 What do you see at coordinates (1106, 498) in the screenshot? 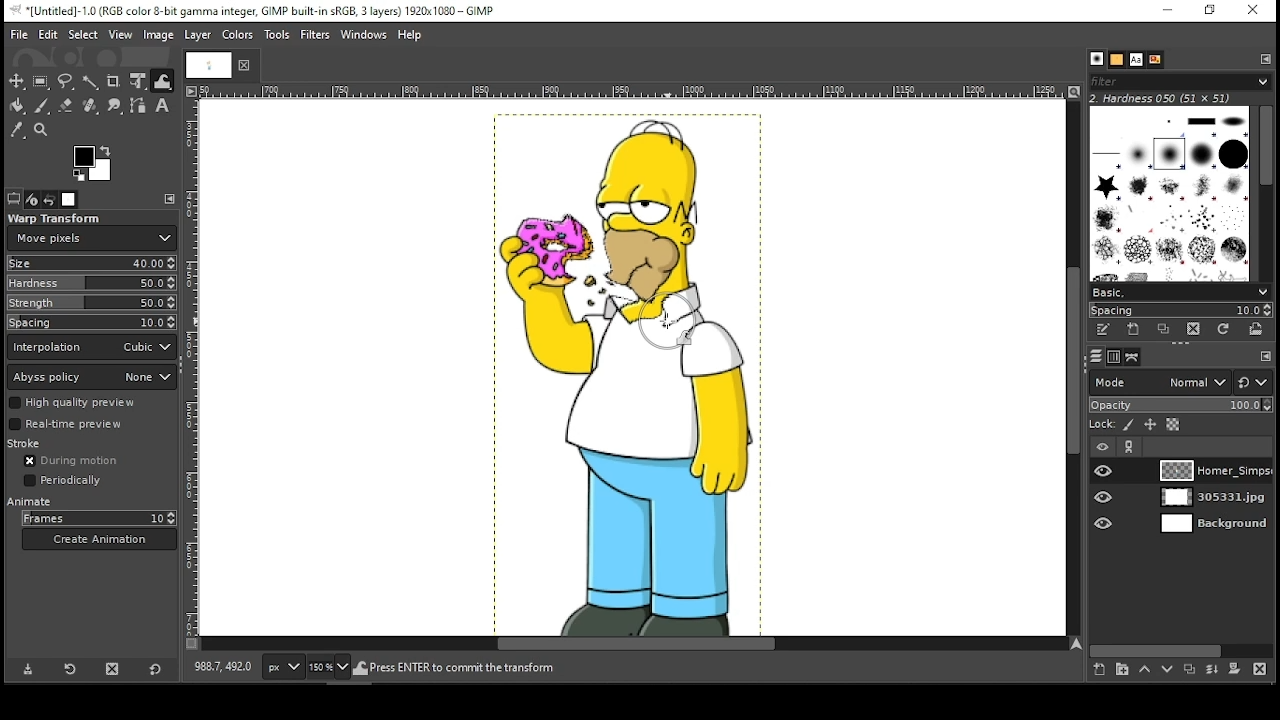
I see `layer visibility on/off` at bounding box center [1106, 498].